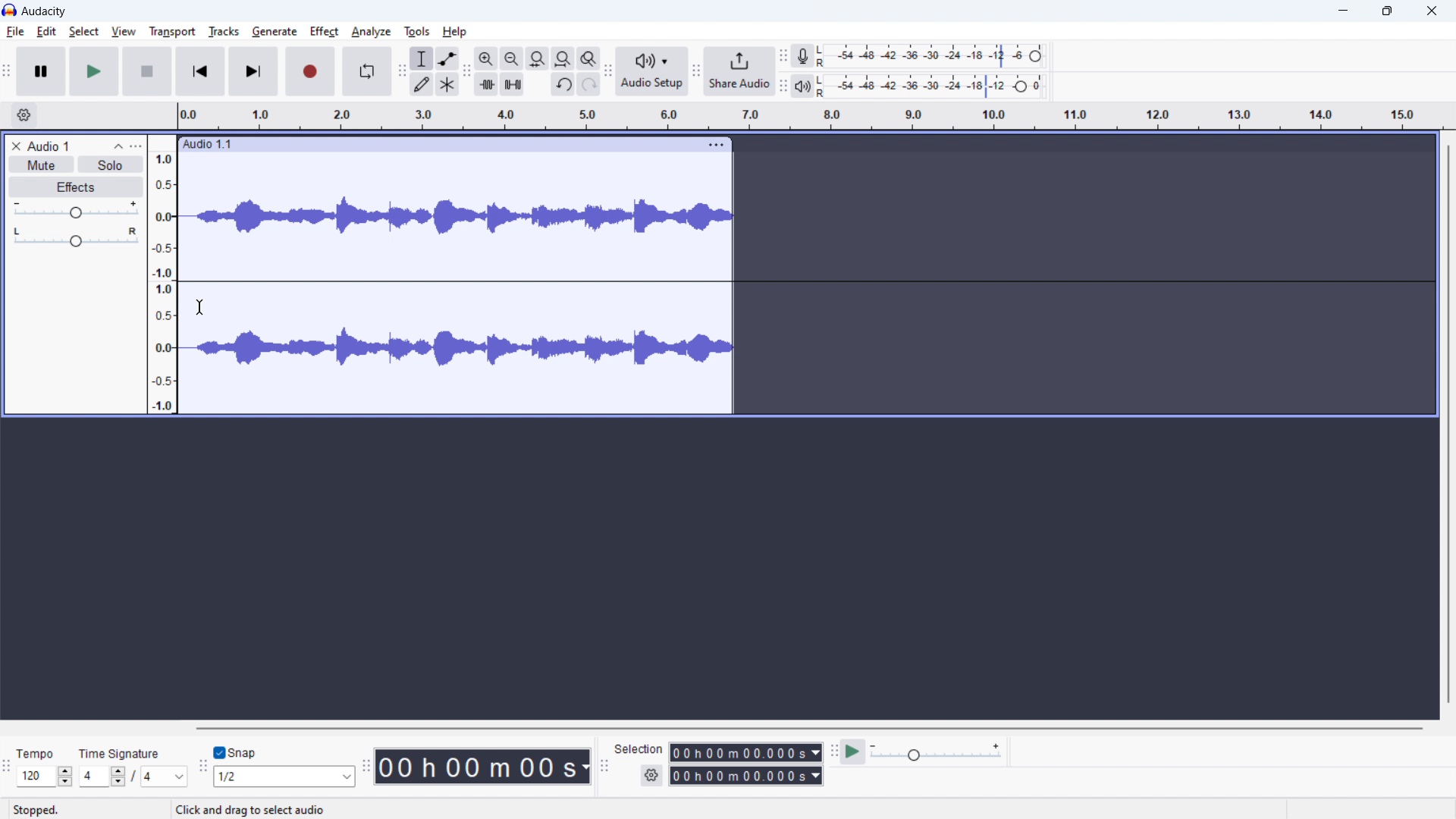 The width and height of the screenshot is (1456, 819). What do you see at coordinates (604, 767) in the screenshot?
I see `selection toolbar` at bounding box center [604, 767].